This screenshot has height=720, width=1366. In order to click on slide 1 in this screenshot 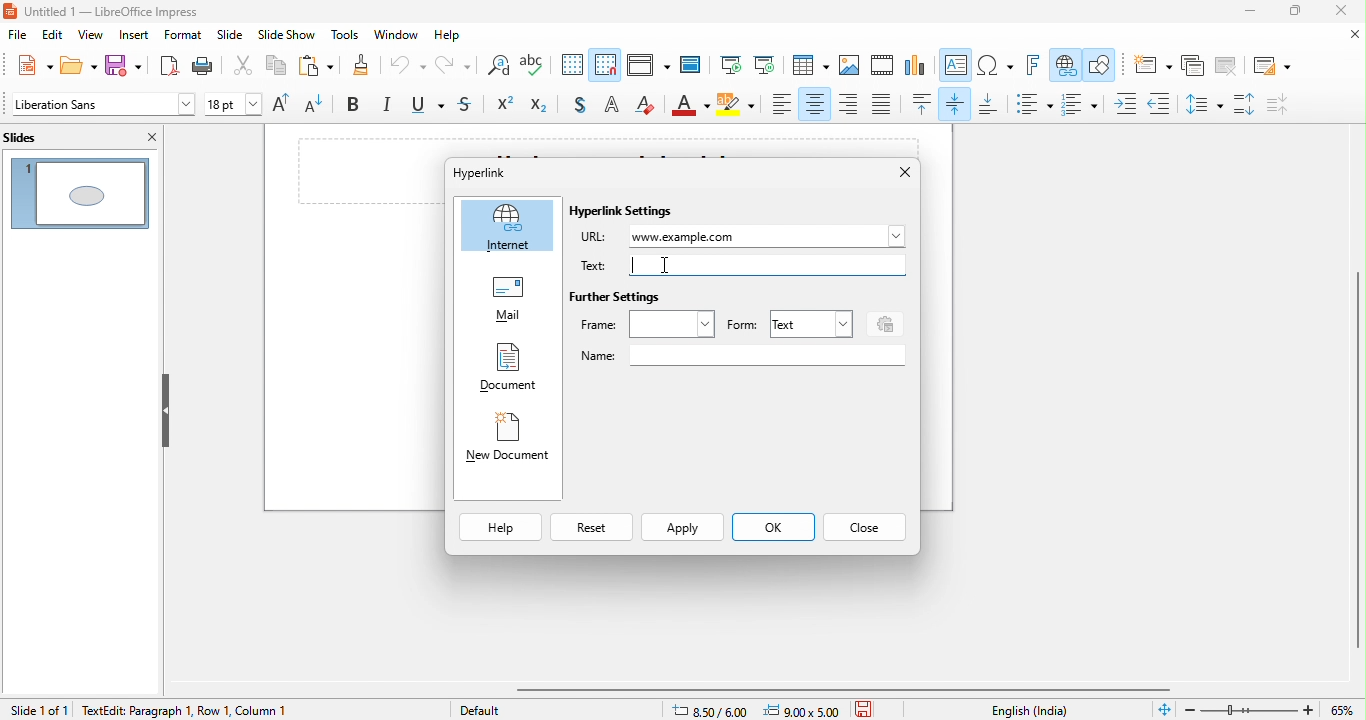, I will do `click(80, 191)`.